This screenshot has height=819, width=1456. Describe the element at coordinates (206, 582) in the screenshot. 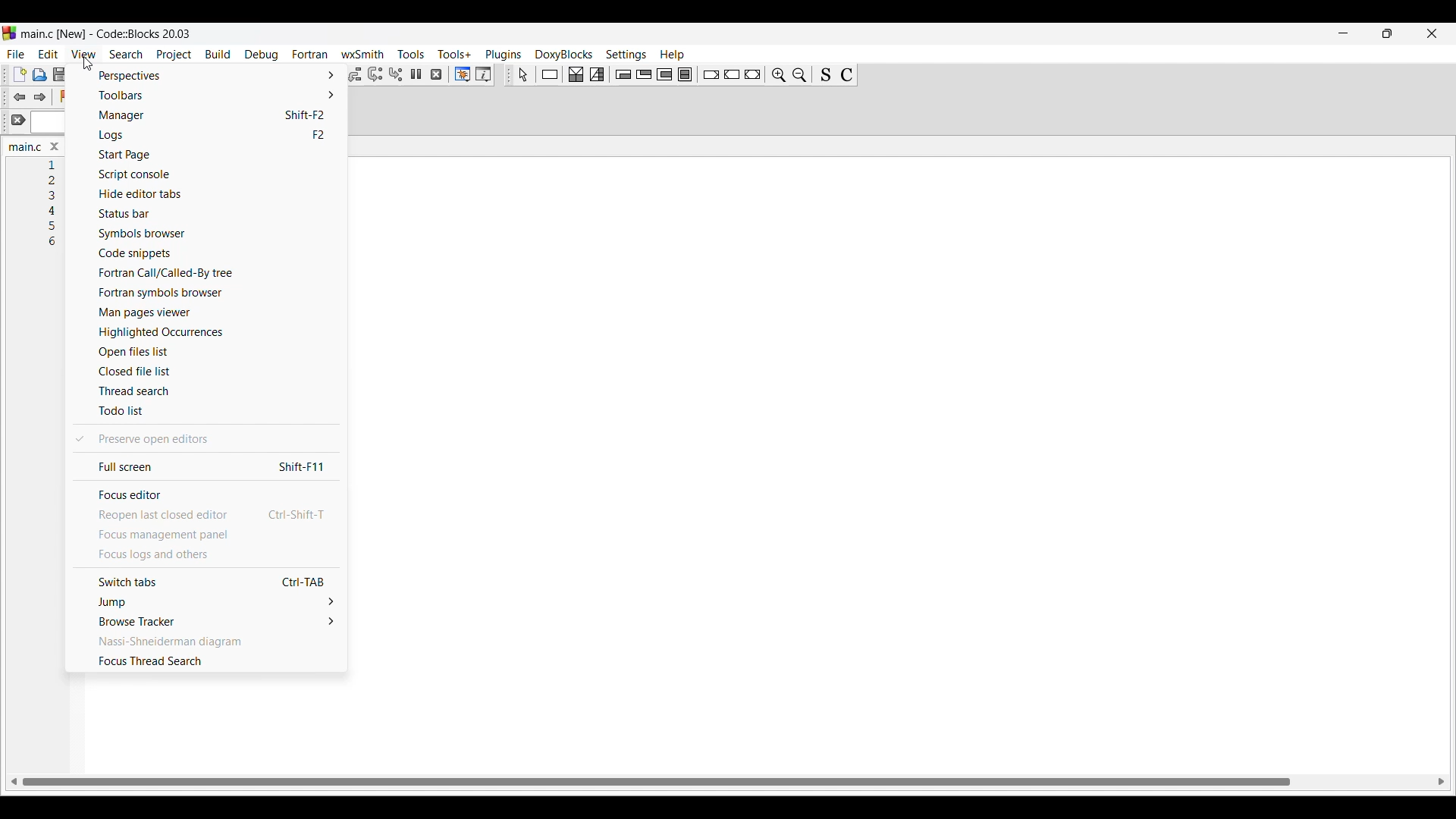

I see `Switch tabs` at that location.